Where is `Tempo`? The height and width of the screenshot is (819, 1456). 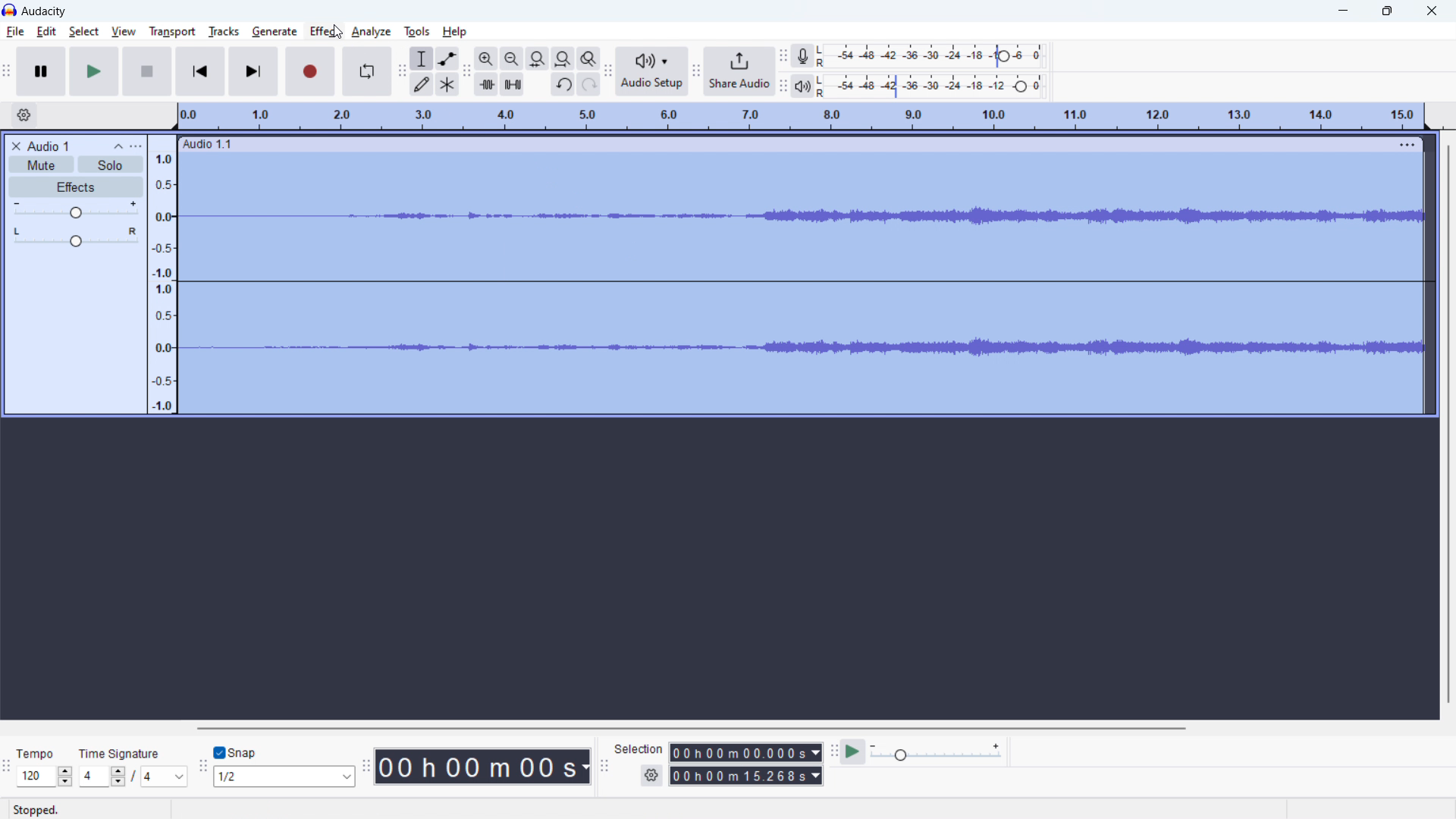 Tempo is located at coordinates (44, 754).